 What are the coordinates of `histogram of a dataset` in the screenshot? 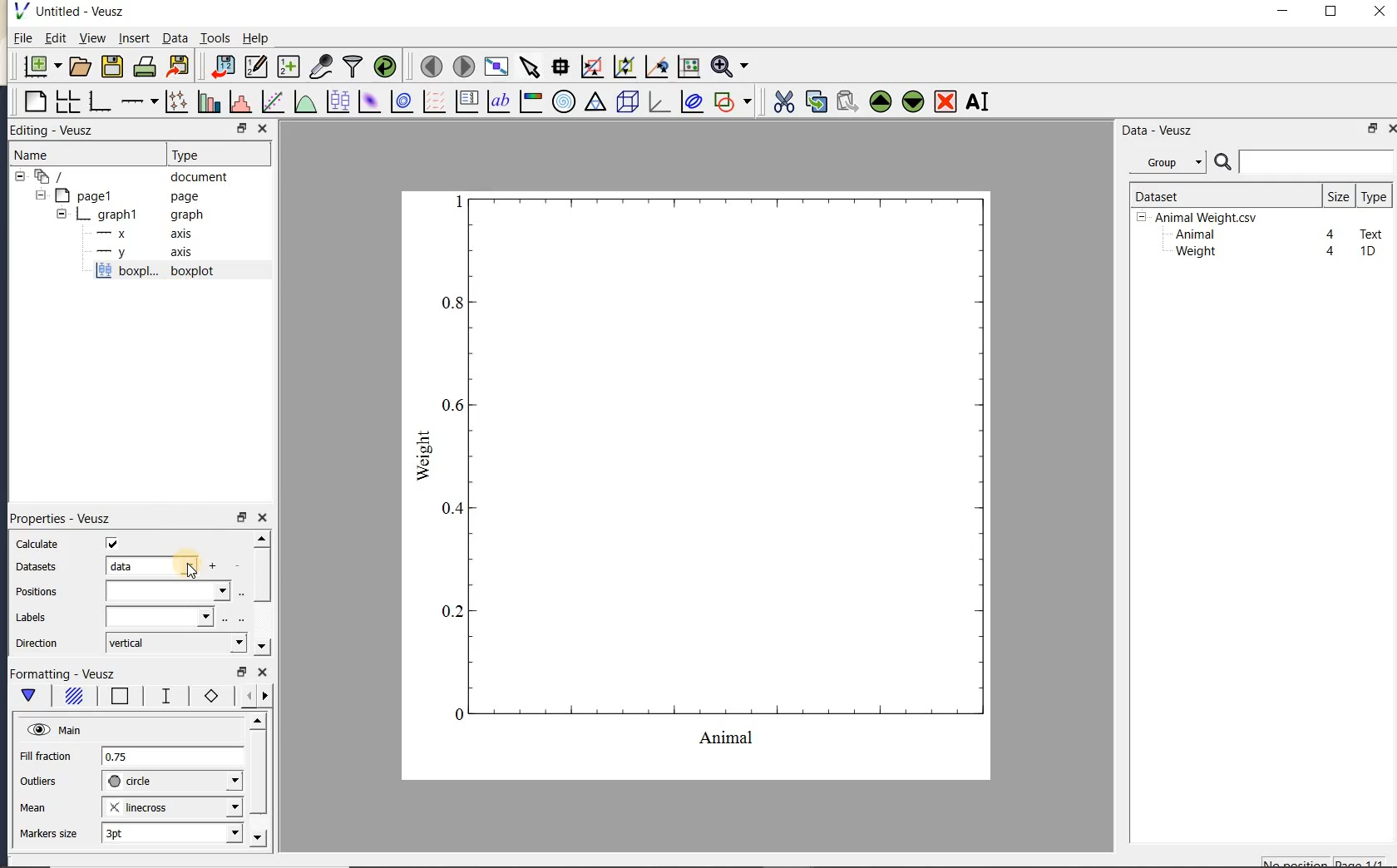 It's located at (239, 101).